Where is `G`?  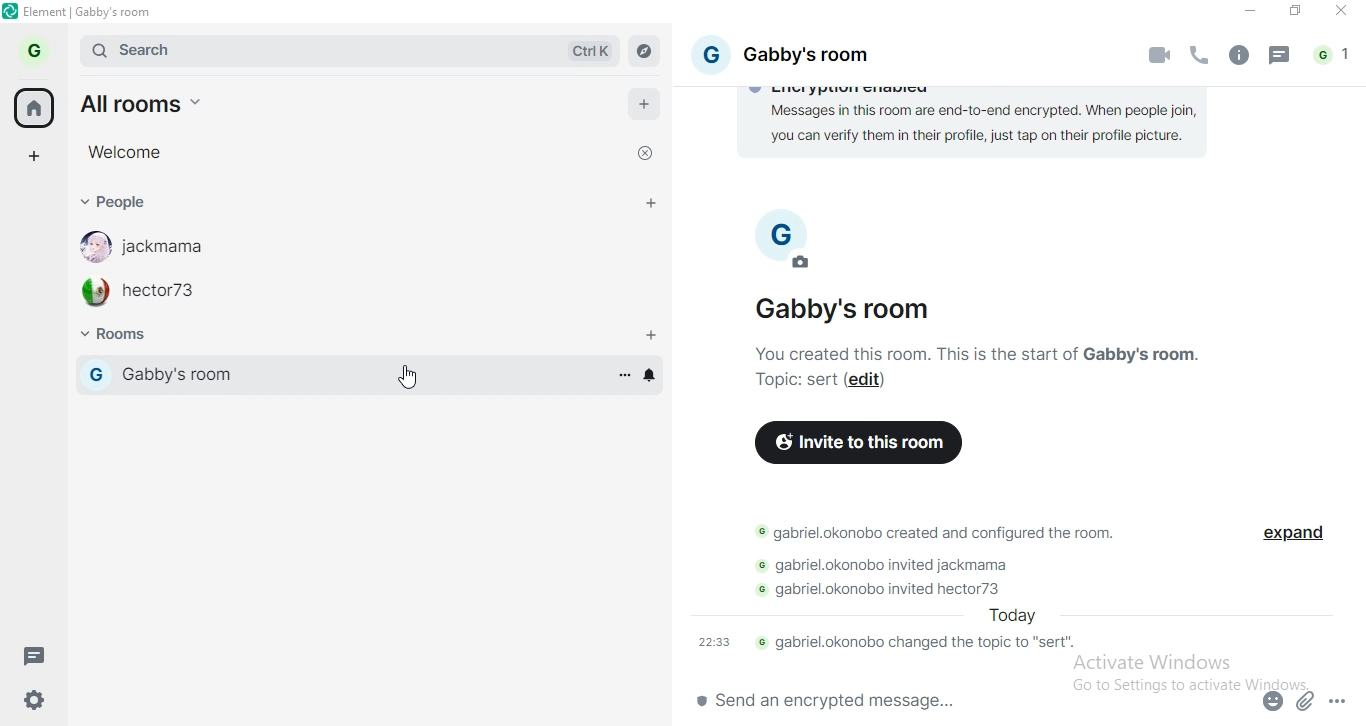
G is located at coordinates (95, 374).